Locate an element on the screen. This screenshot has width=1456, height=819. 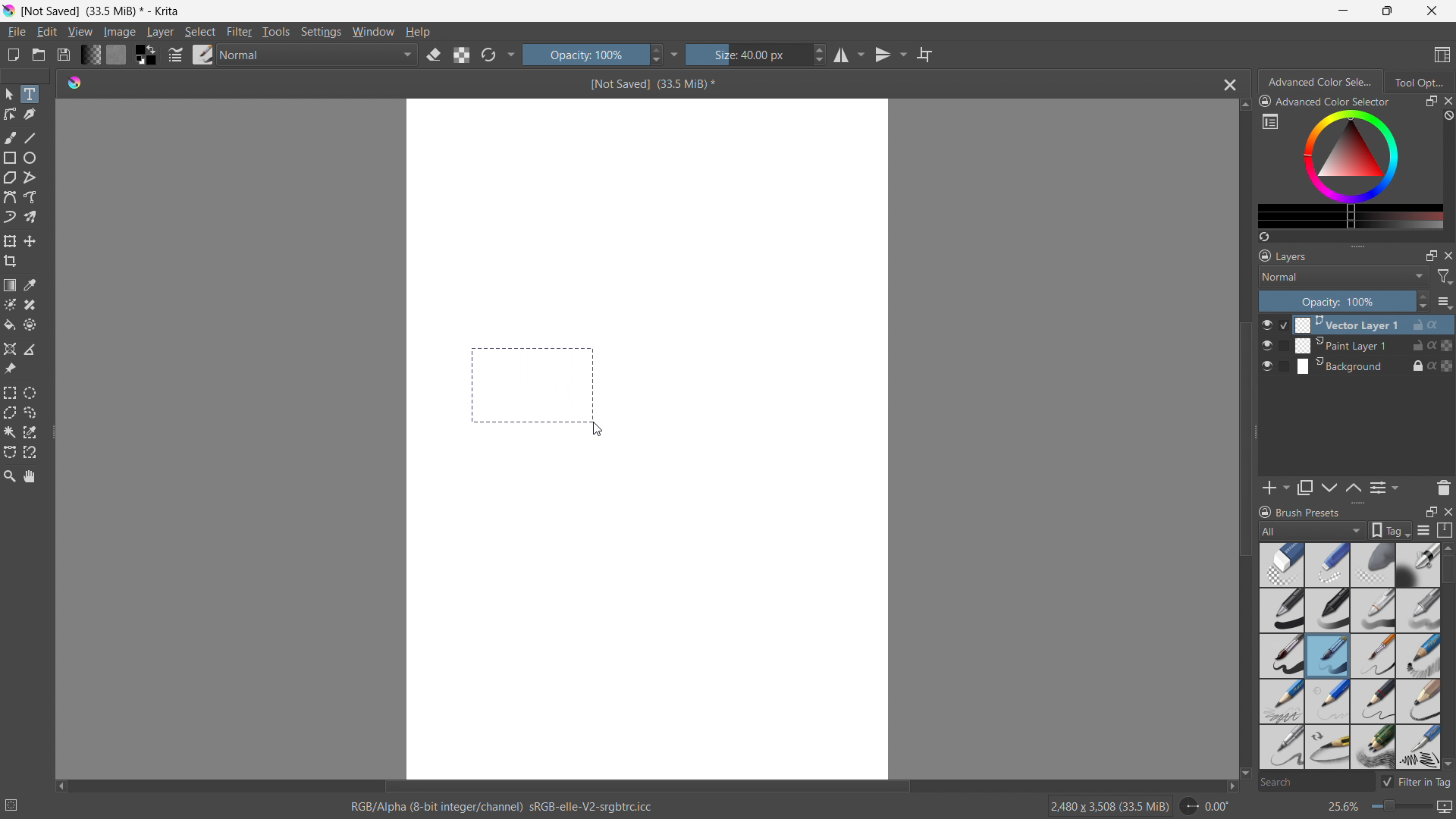
advanced color selector is located at coordinates (1325, 101).